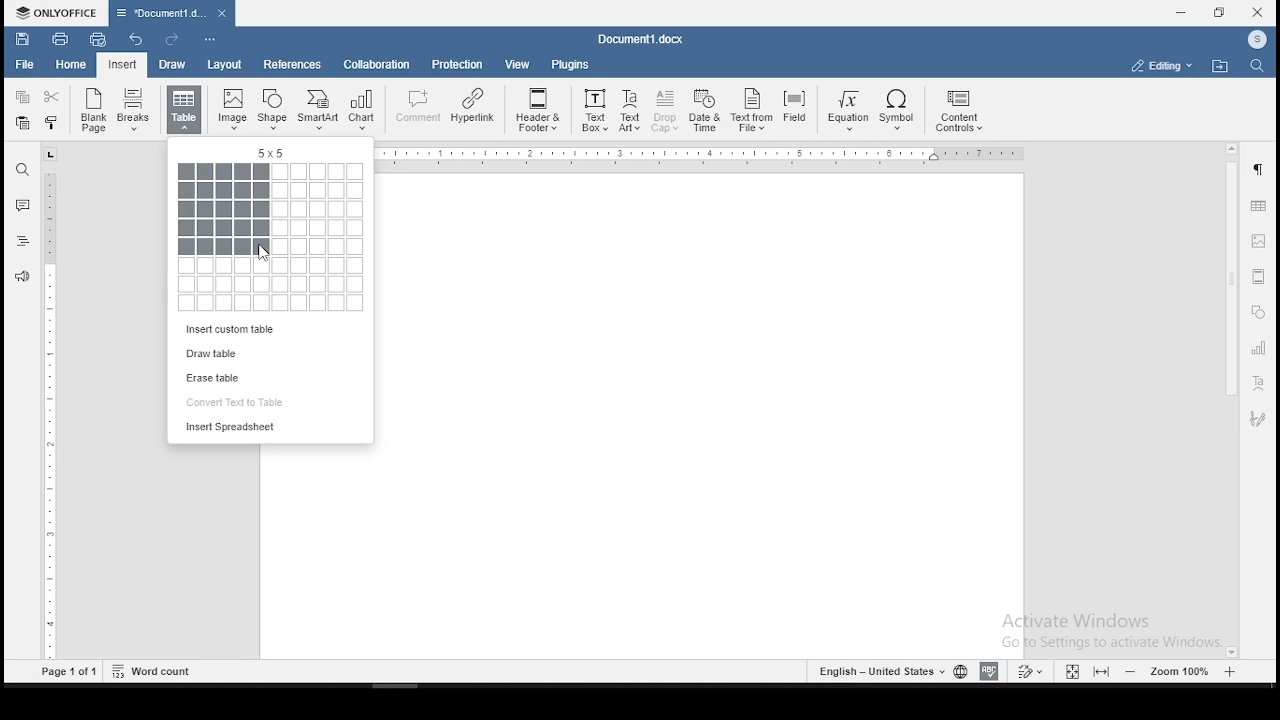 Image resolution: width=1280 pixels, height=720 pixels. What do you see at coordinates (1100, 672) in the screenshot?
I see `fit to screen` at bounding box center [1100, 672].